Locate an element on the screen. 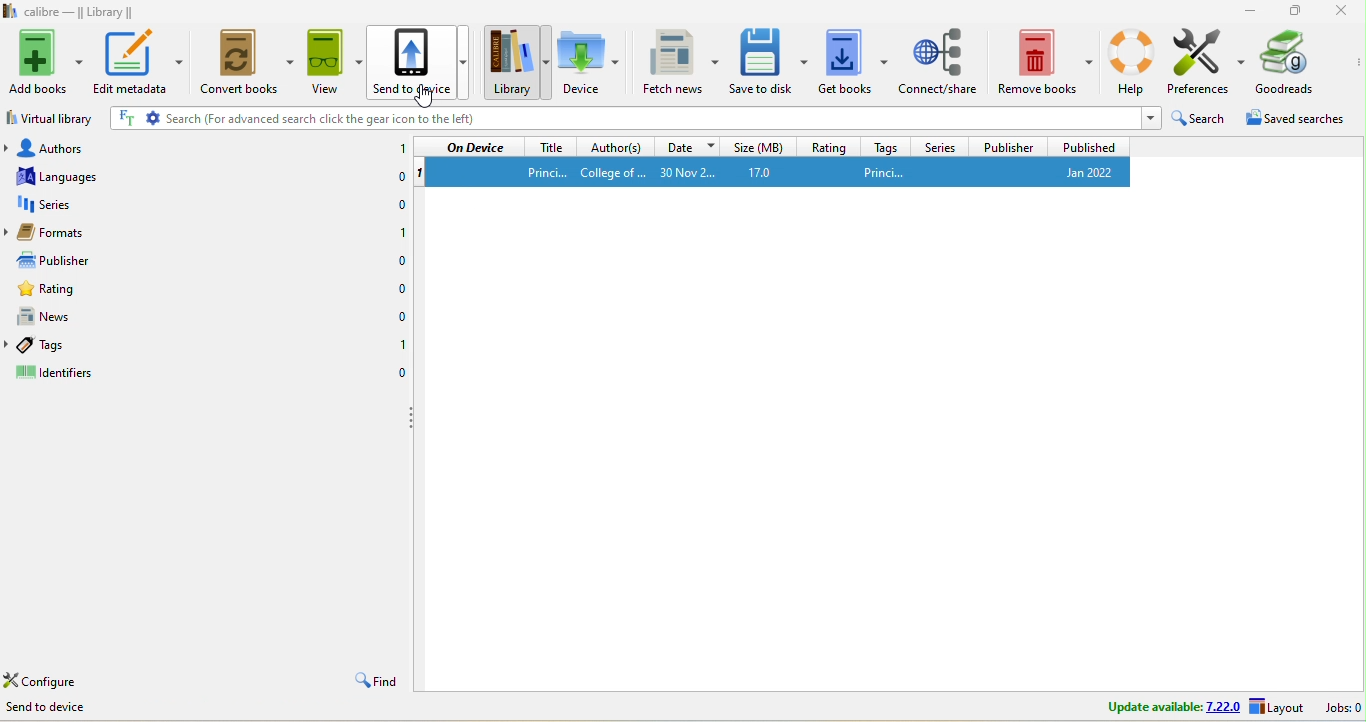  news is located at coordinates (48, 317).